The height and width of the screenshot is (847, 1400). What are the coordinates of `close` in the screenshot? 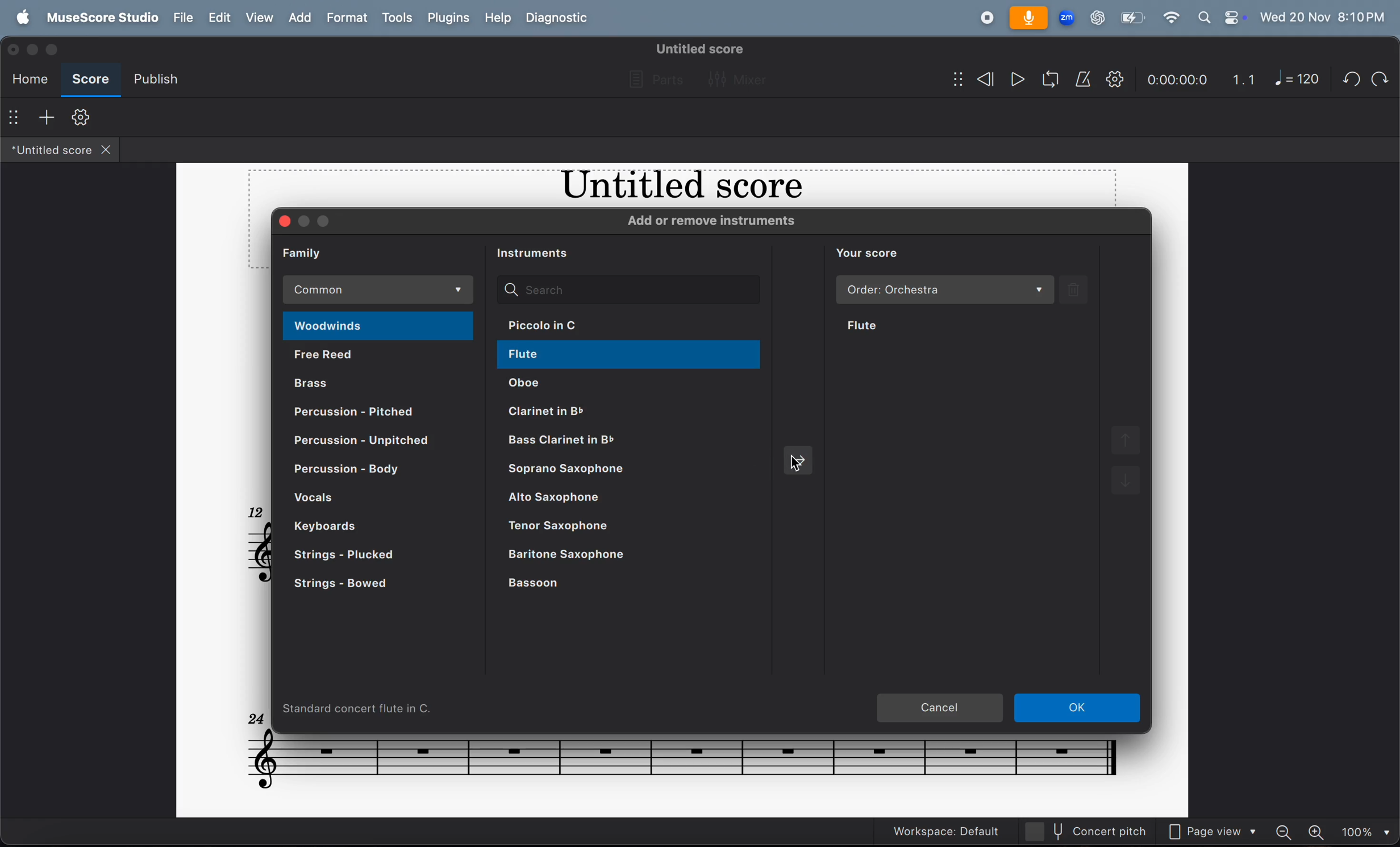 It's located at (285, 223).